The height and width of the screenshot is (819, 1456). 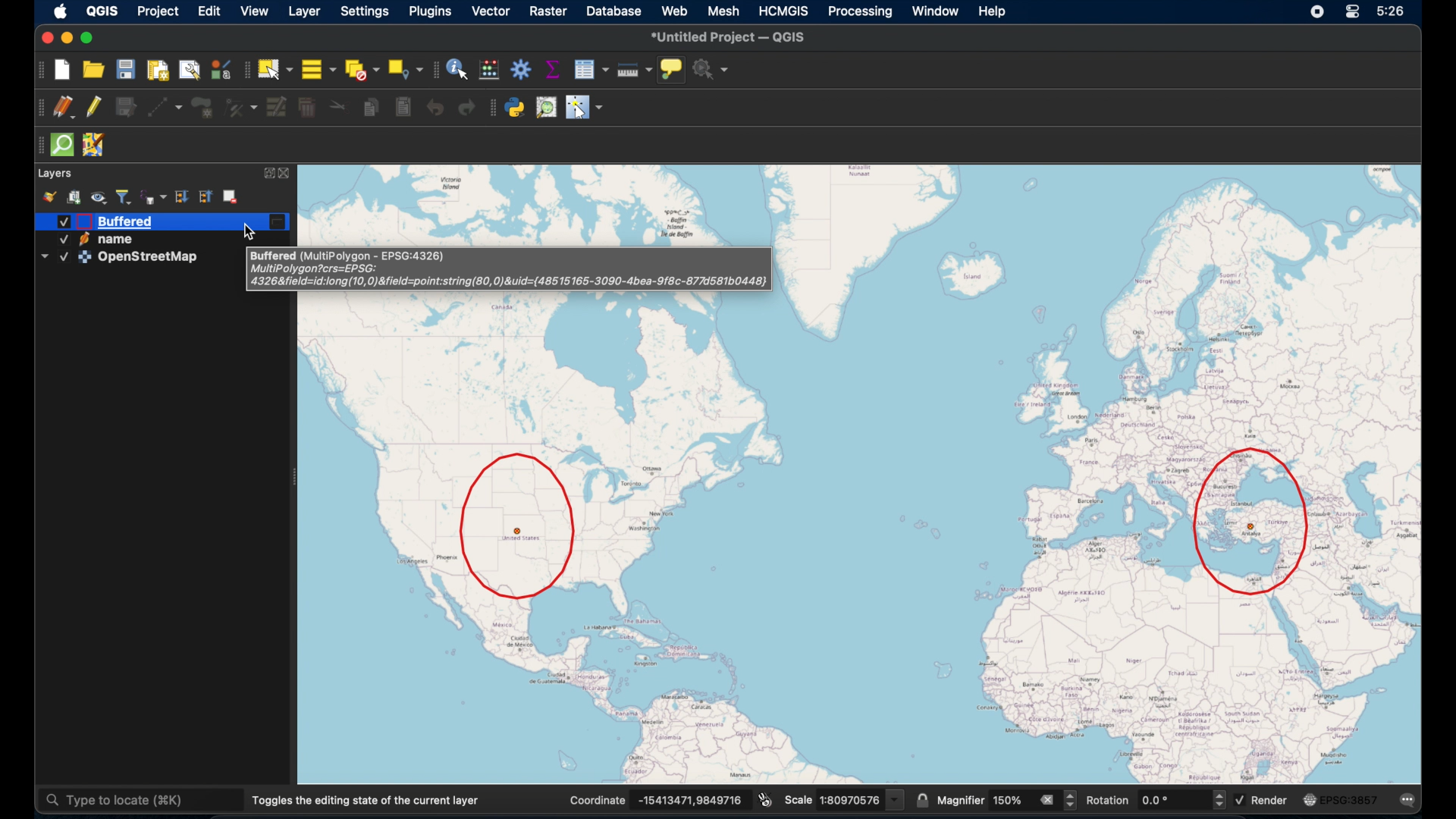 I want to click on toggle extents and position mouse display, so click(x=765, y=799).